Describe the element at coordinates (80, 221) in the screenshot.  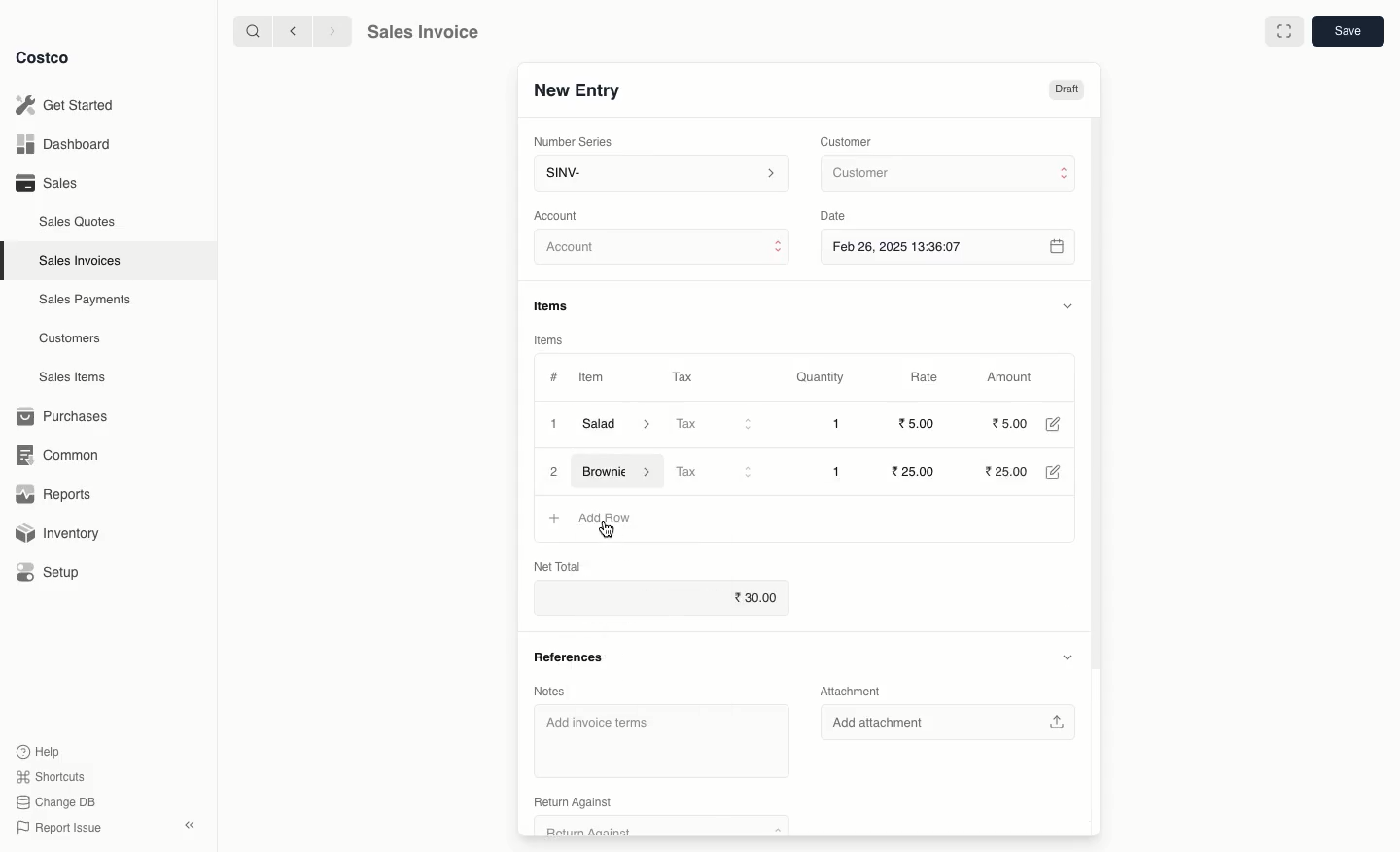
I see `Sales Quotes` at that location.